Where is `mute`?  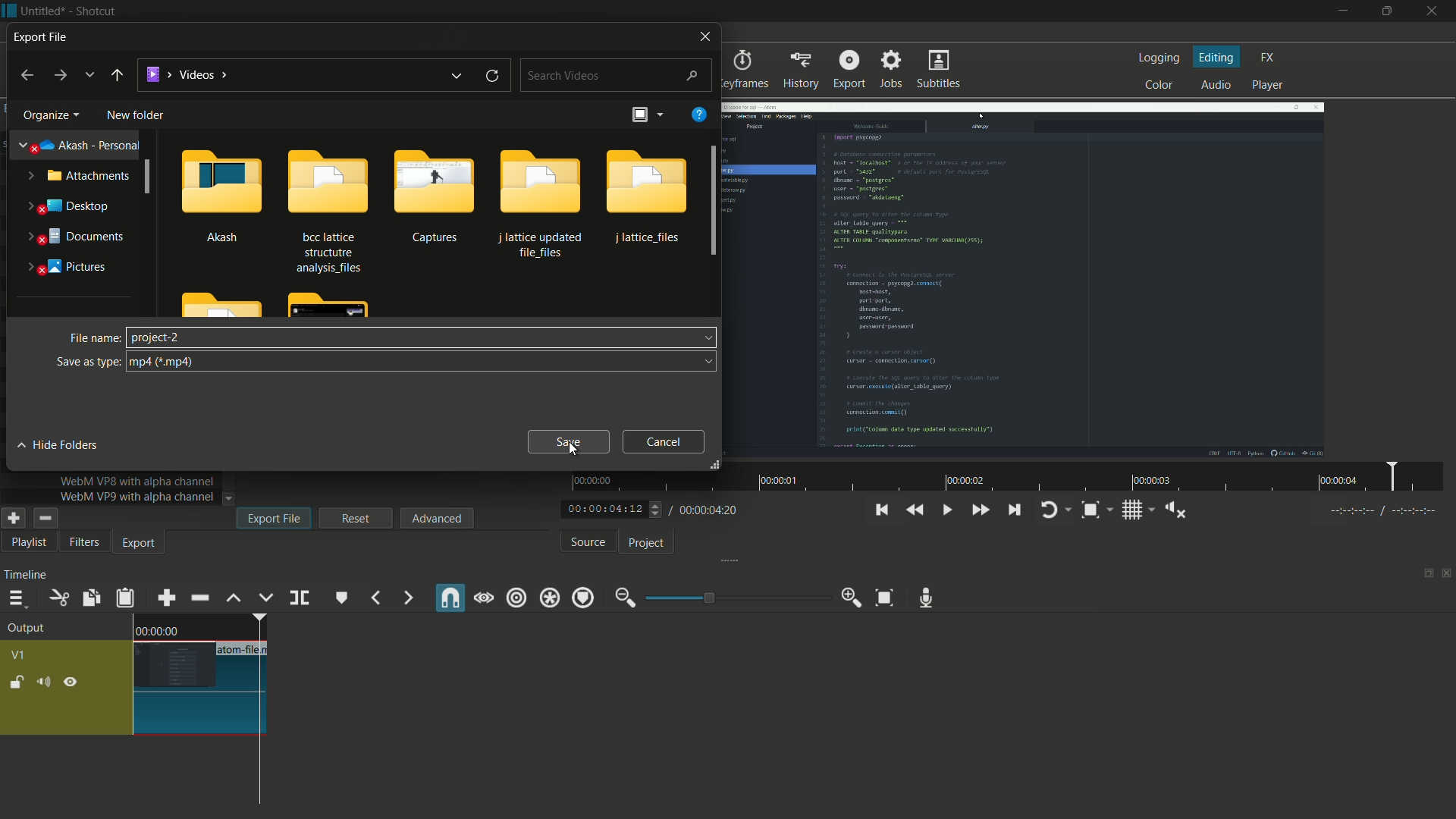 mute is located at coordinates (42, 683).